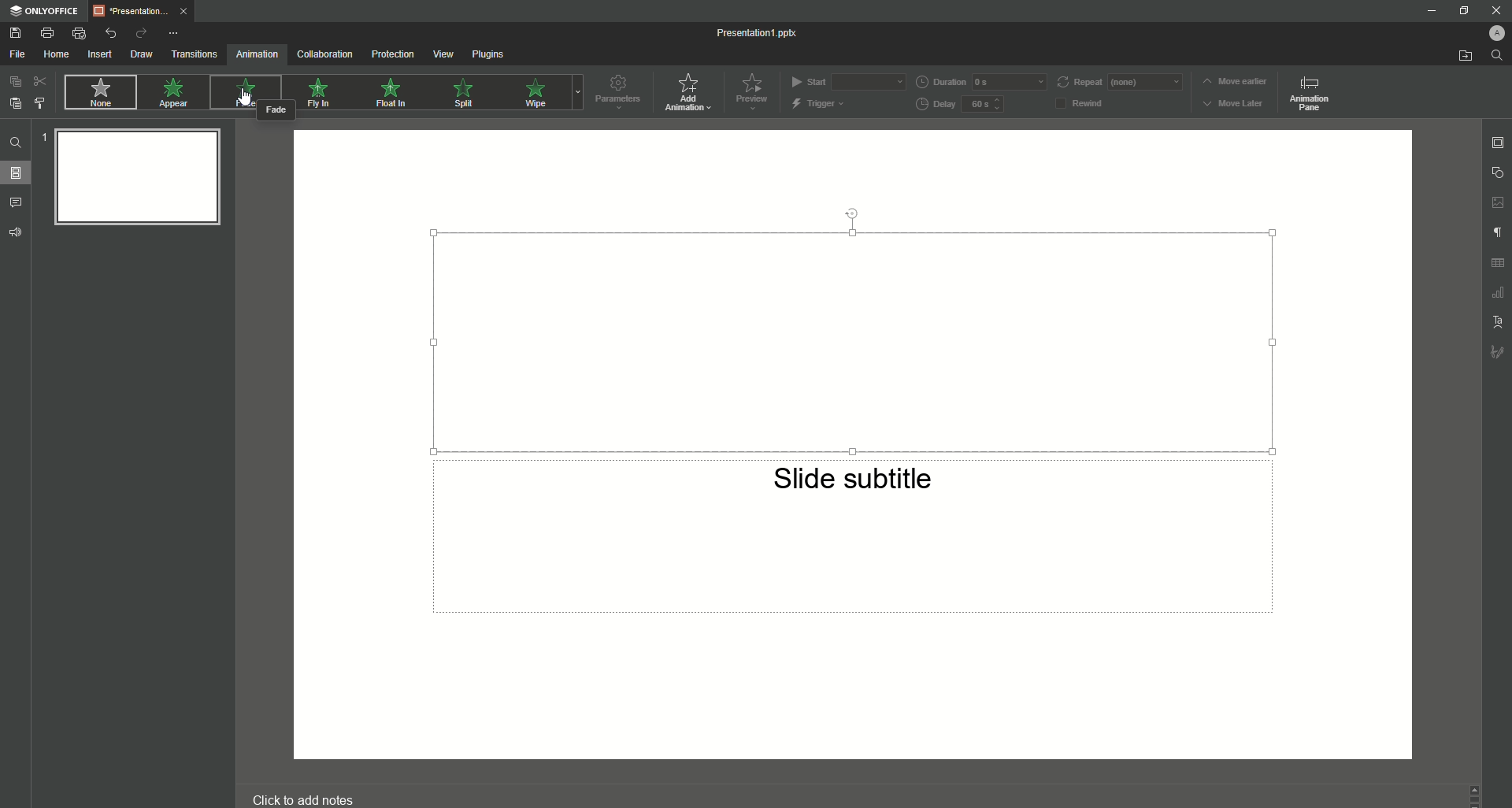 The height and width of the screenshot is (808, 1512). What do you see at coordinates (1495, 32) in the screenshot?
I see `Profile` at bounding box center [1495, 32].